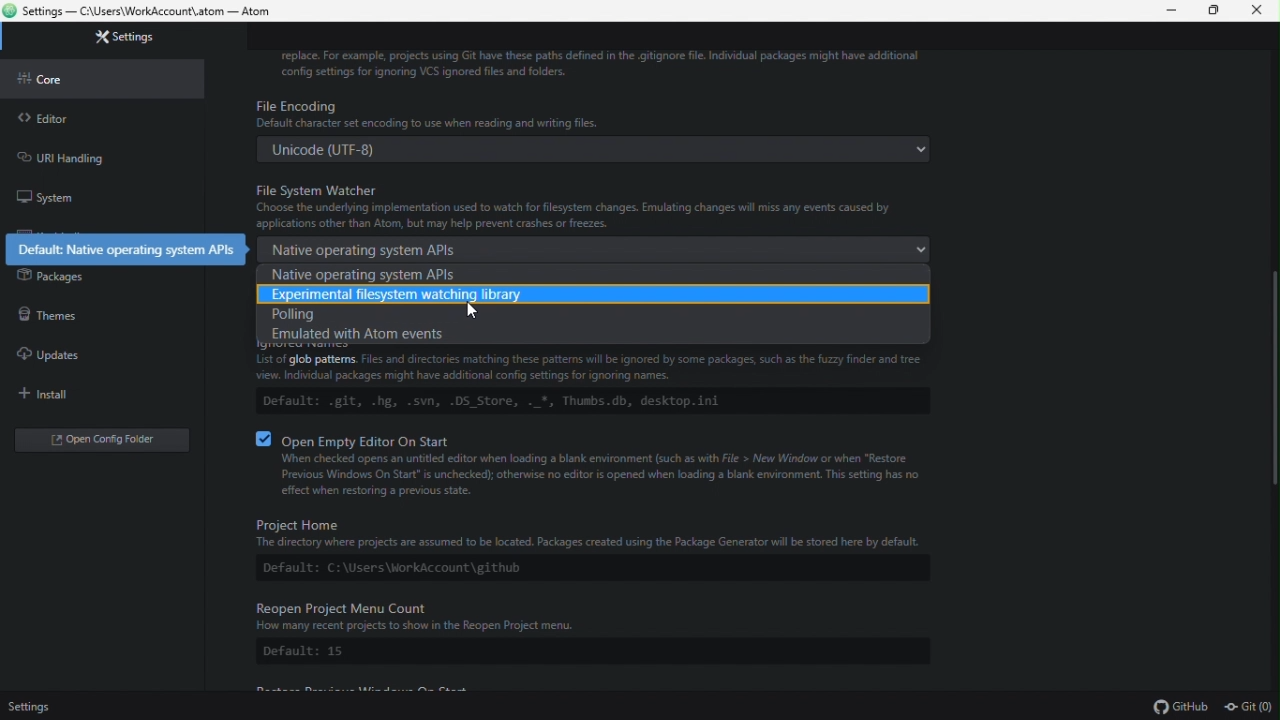  Describe the element at coordinates (127, 246) in the screenshot. I see `default native operating system APIs` at that location.